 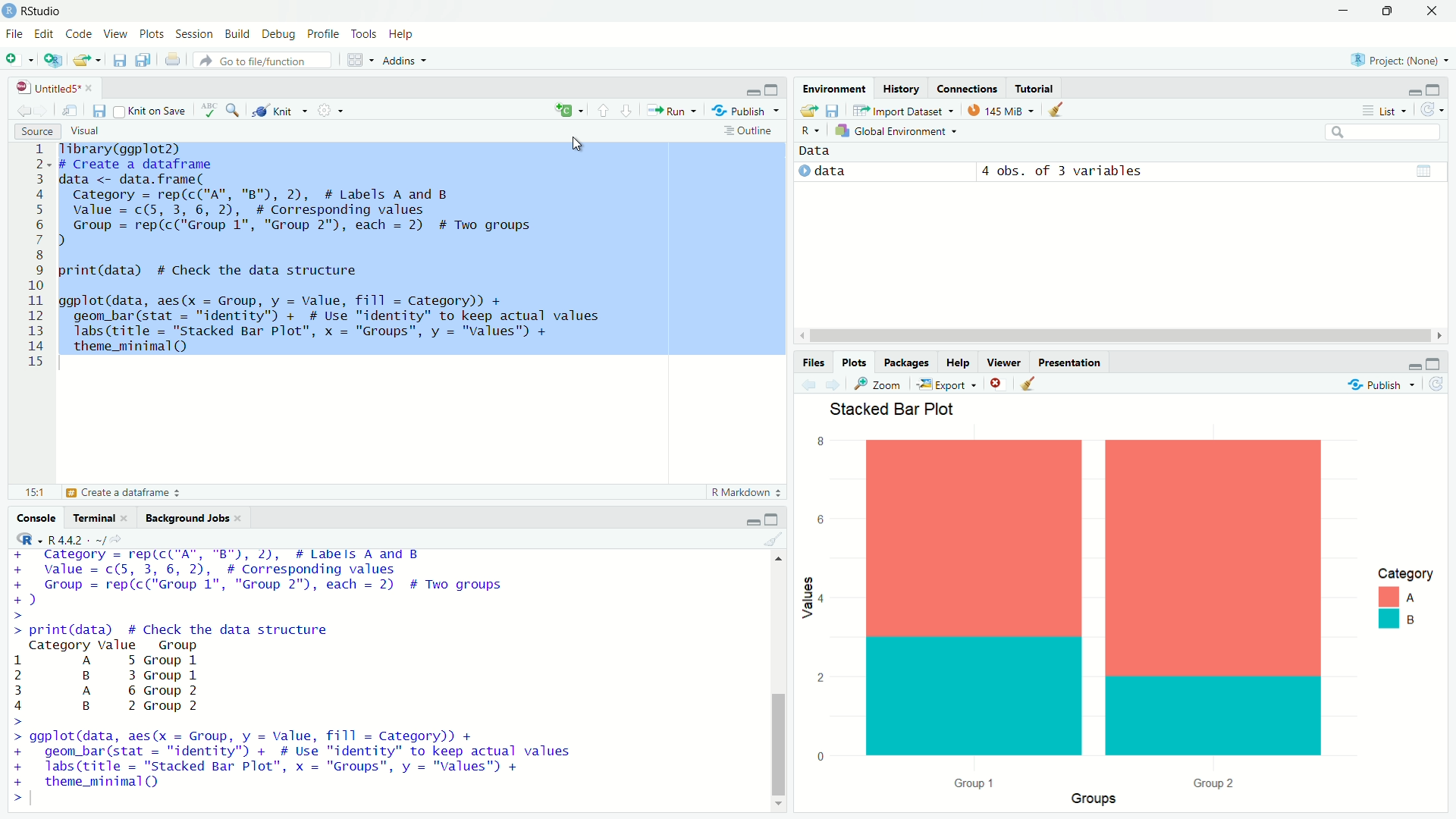 What do you see at coordinates (370, 248) in the screenshot?
I see `Tibrary(ggplot2)

# Create a dataframe

data <- data.frame(
Category = rep(c("A", "B"), 2), # Labels A and B
value = c(5, 3, 6, 2), # Corresponding values
Group = rep(c("Group 1", "Group 2"), each = 2) # Two groups

)

print(data) # Check the data structure

ggplot(data, aes(x = Group, y = Value, fill = Category)) +
geom_bar(stat = "identity") + # Use "identity" to keep actual values
Jabs(title = "stacked Bar Plot", x = "Groups", y = "Values") +
theme_minimal(Q) 1` at bounding box center [370, 248].